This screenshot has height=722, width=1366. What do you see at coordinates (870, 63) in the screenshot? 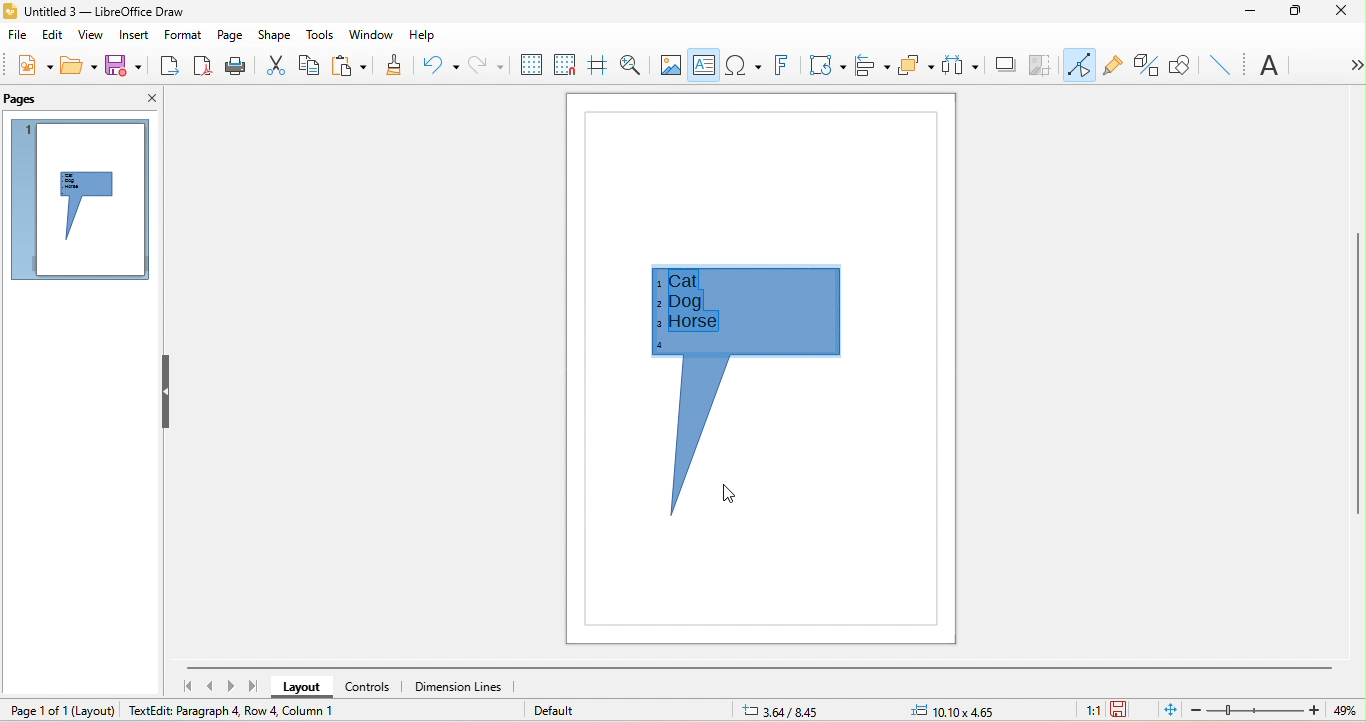
I see `align object` at bounding box center [870, 63].